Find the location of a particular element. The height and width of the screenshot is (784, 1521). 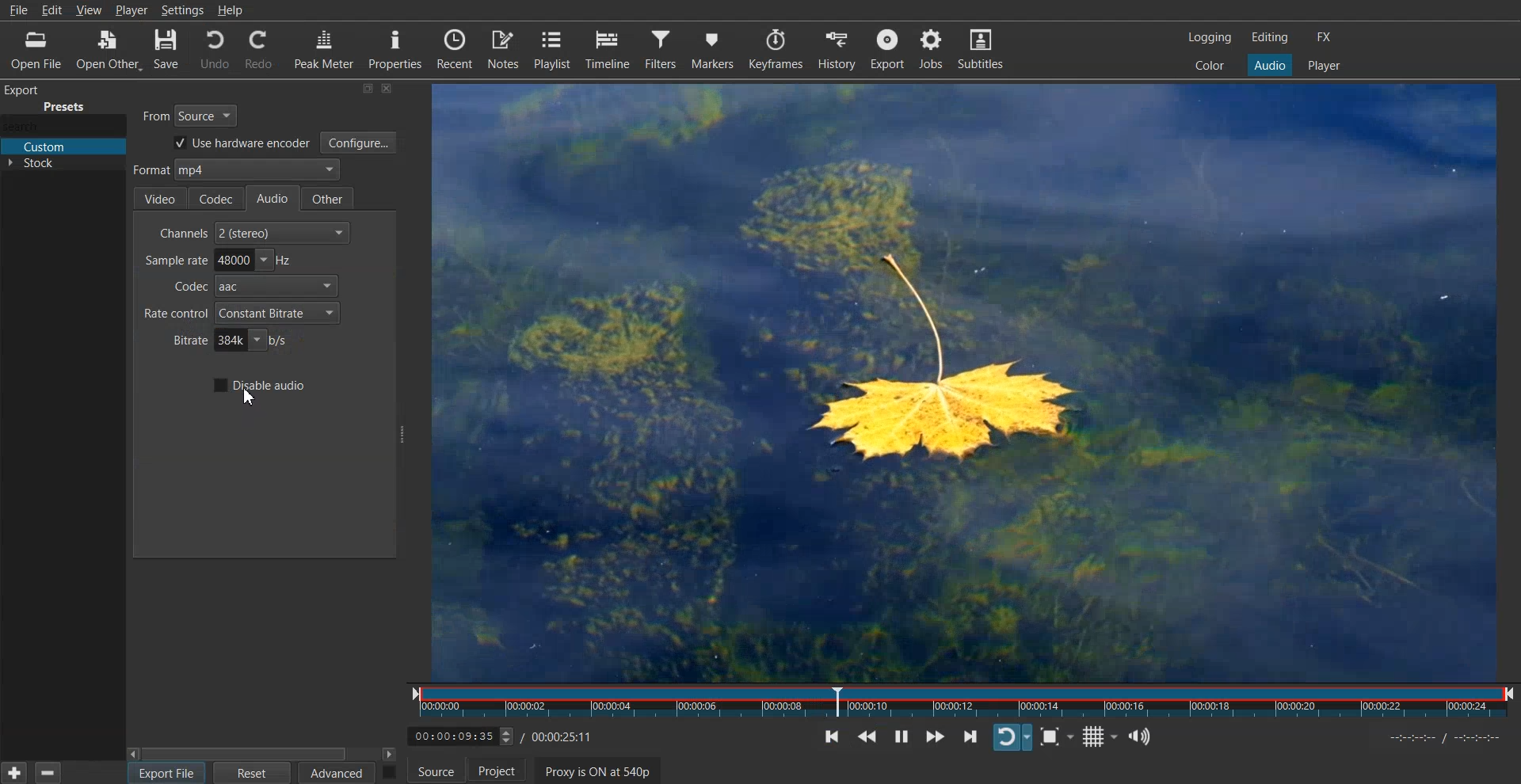

History is located at coordinates (837, 48).